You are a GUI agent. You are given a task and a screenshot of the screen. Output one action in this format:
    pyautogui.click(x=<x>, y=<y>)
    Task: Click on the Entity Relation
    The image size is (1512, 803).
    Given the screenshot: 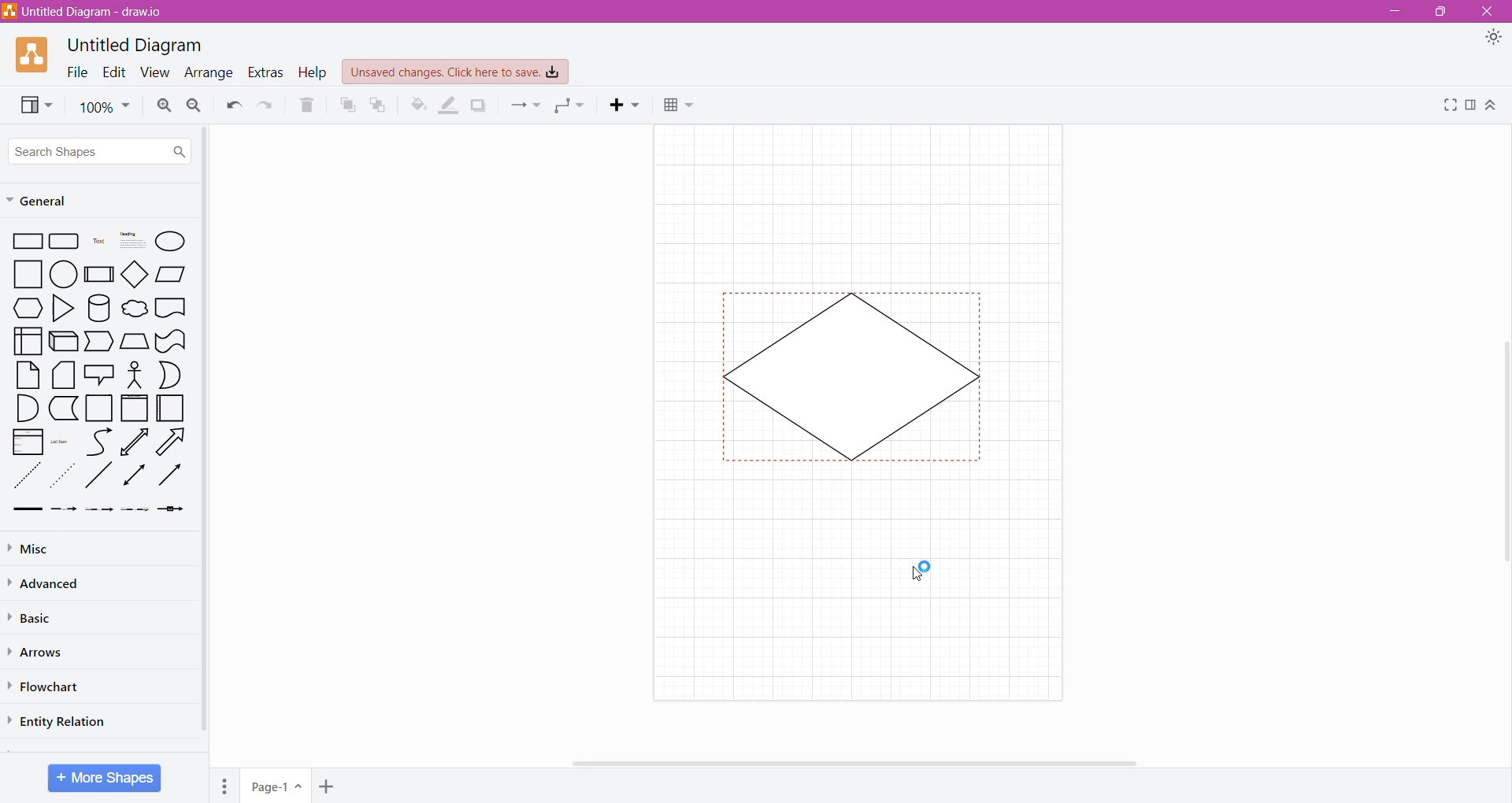 What is the action you would take?
    pyautogui.click(x=58, y=722)
    